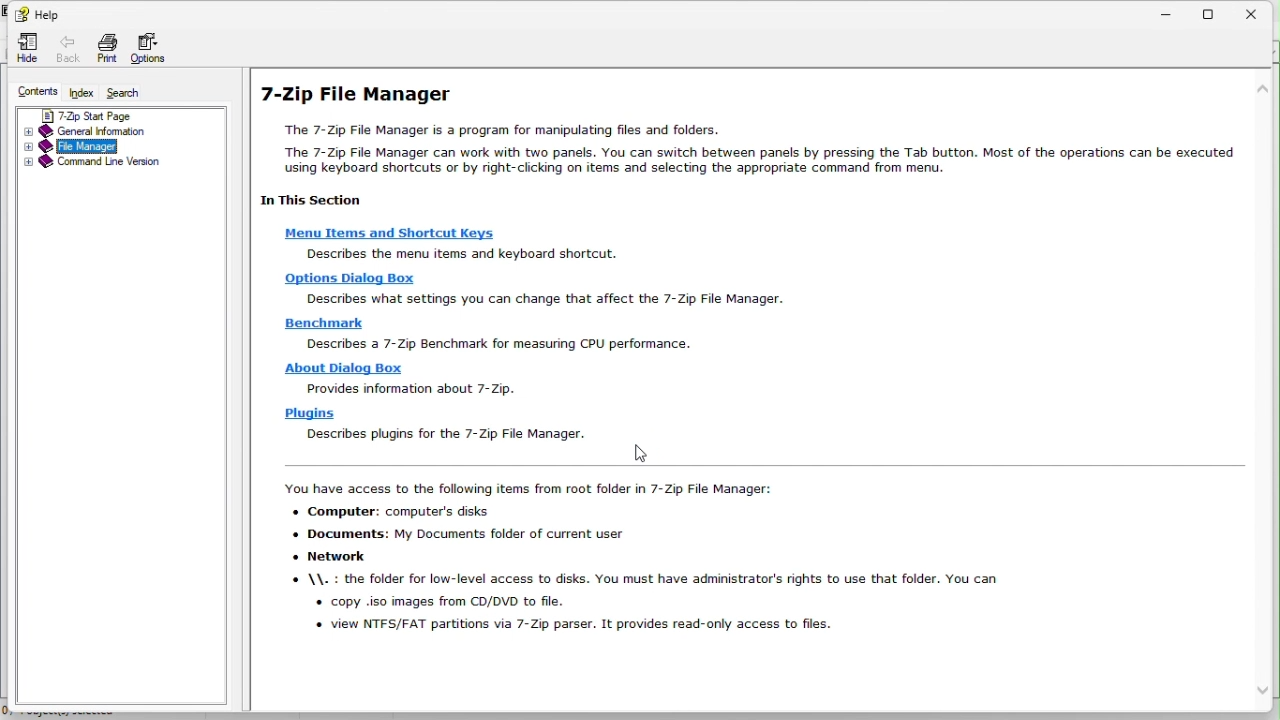  I want to click on describes the menu items and shortcut keys, so click(477, 256).